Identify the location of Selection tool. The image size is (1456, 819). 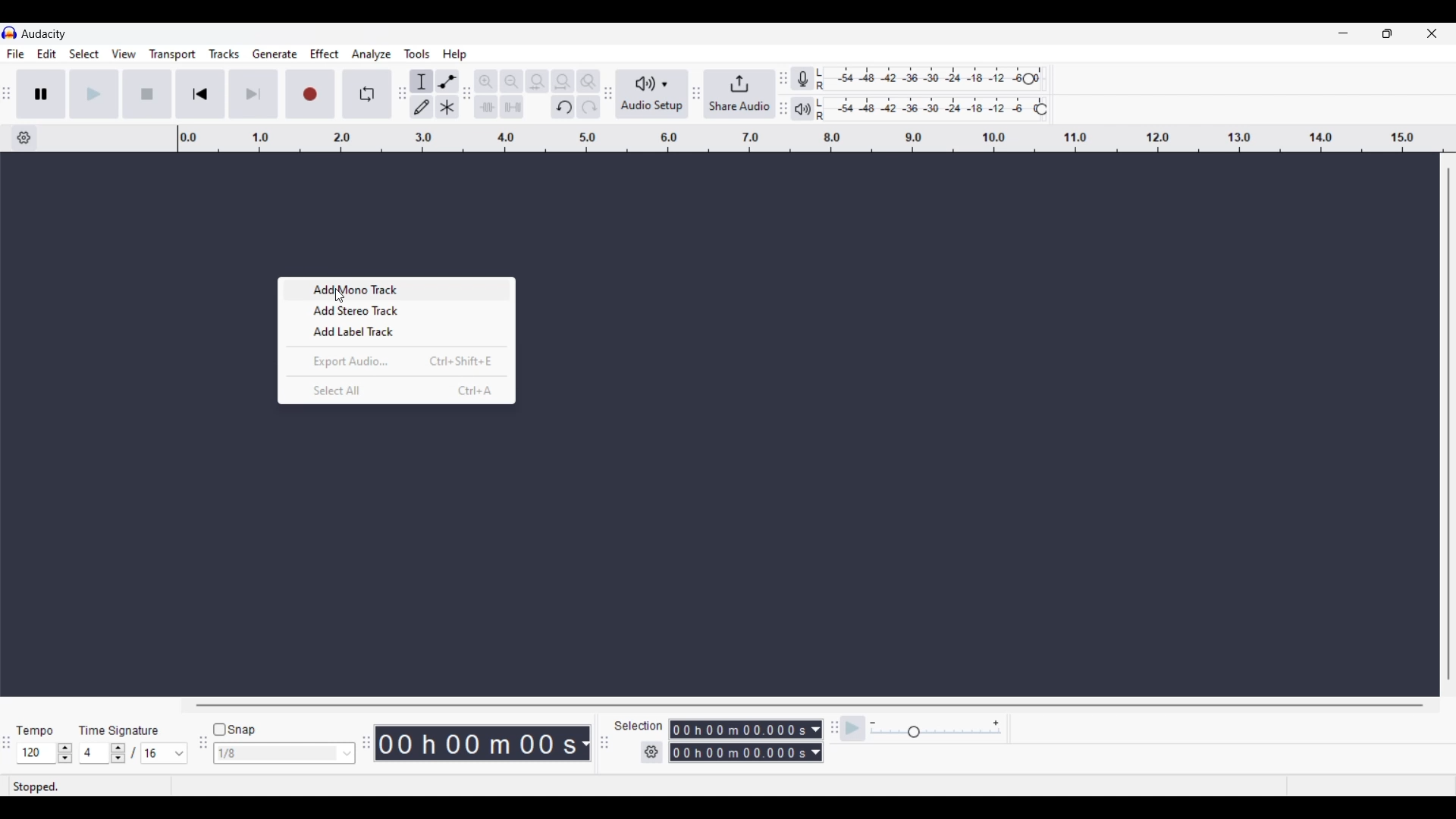
(422, 81).